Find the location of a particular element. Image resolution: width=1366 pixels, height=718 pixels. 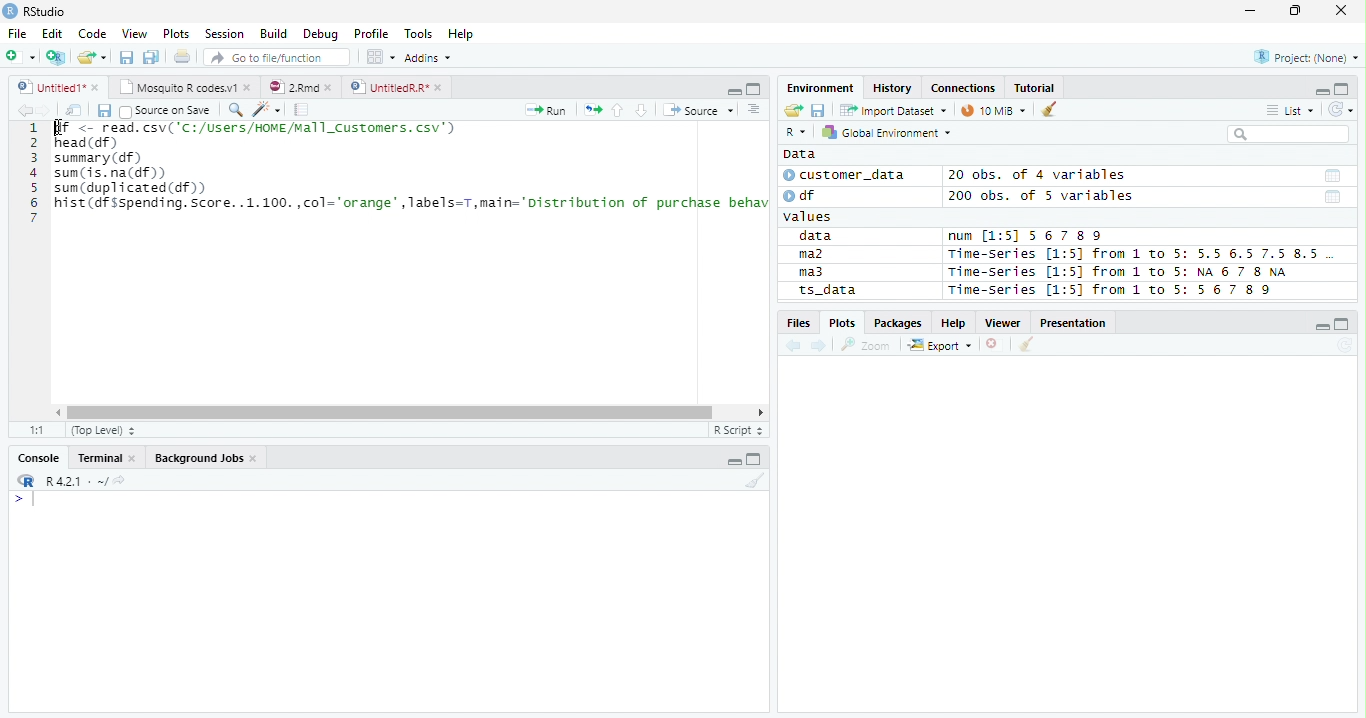

Restore Down is located at coordinates (1298, 11).